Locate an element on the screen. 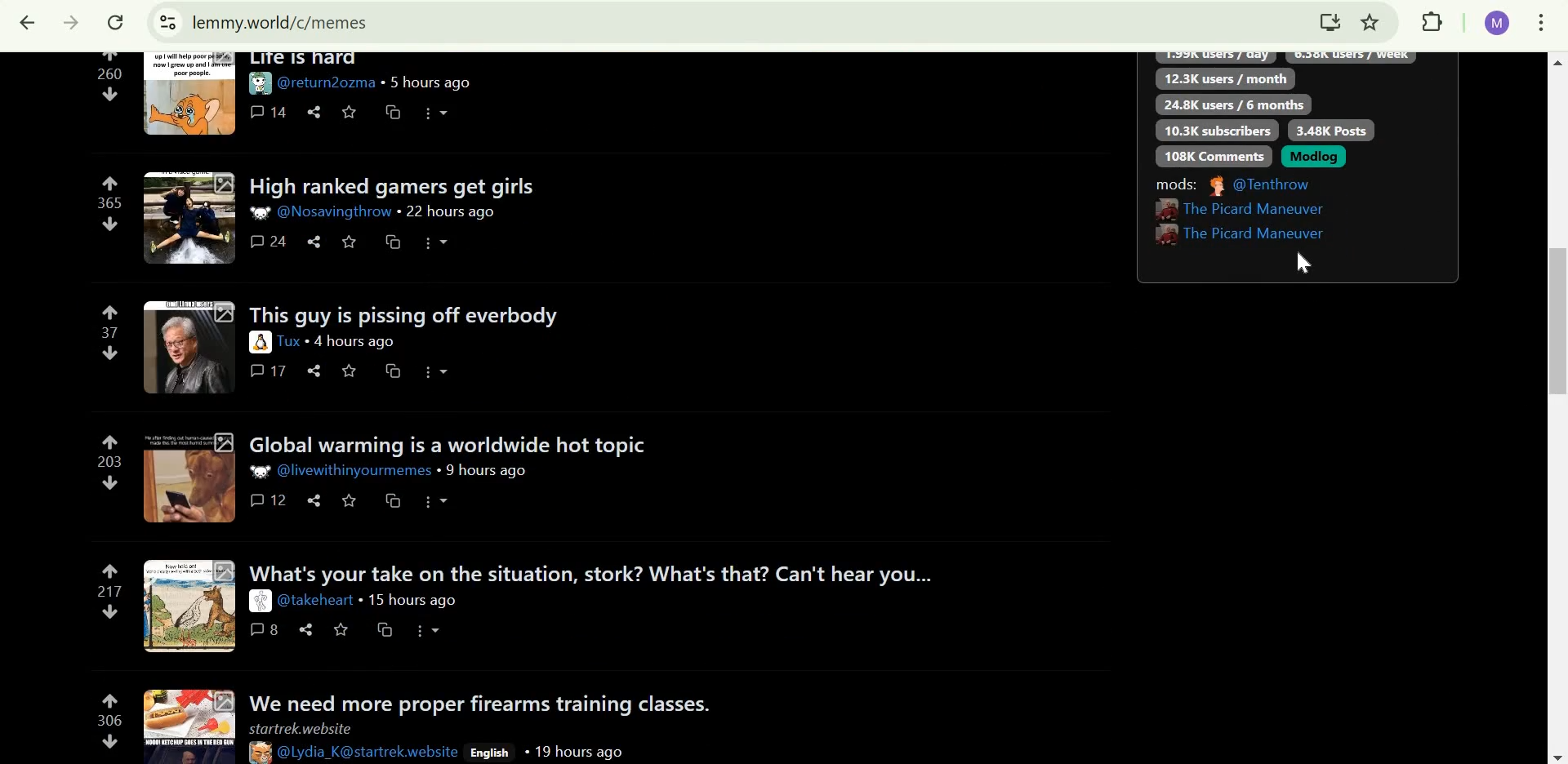 This screenshot has width=1568, height=764. expand here is located at coordinates (189, 217).